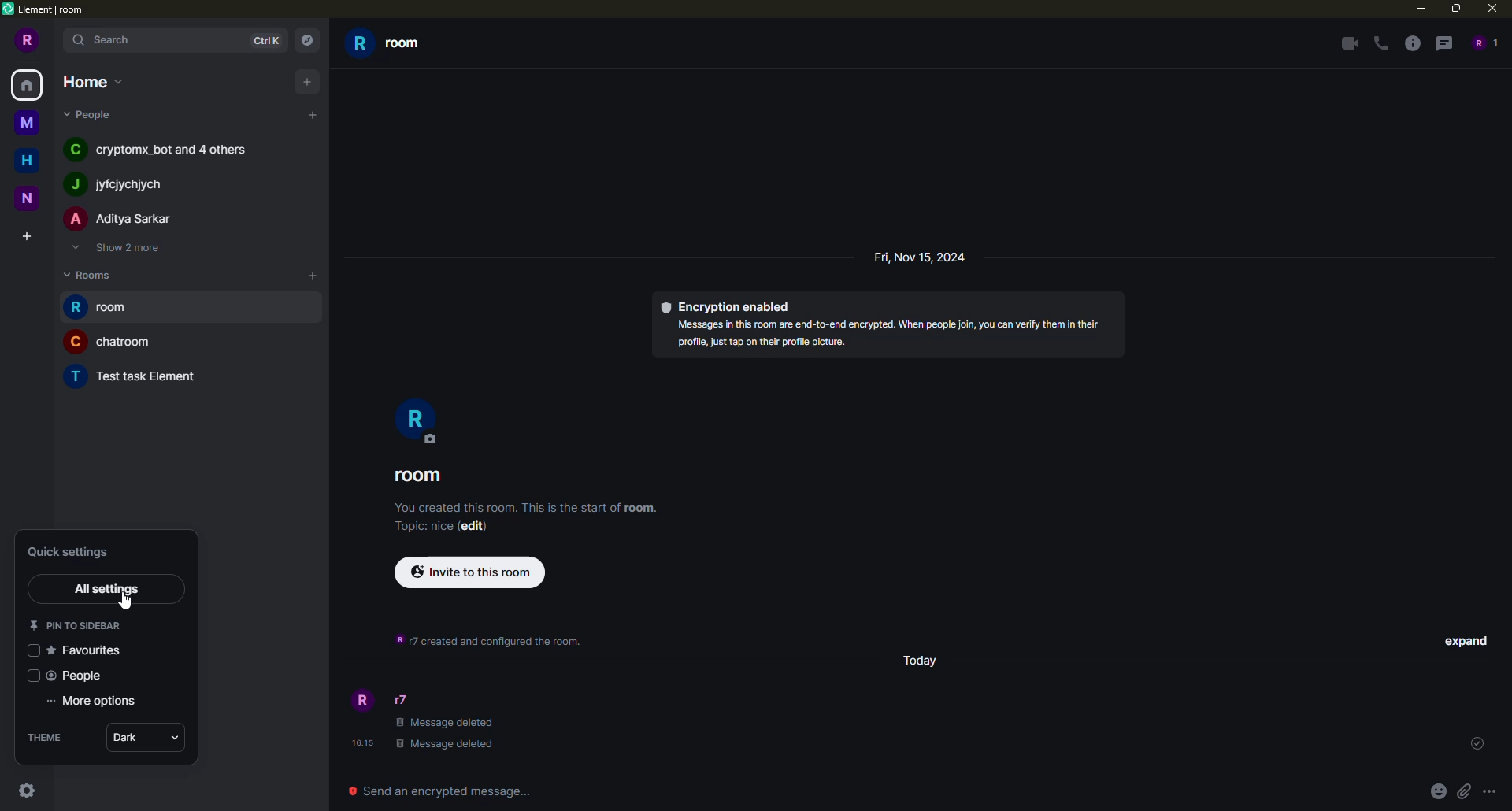  Describe the element at coordinates (91, 113) in the screenshot. I see `people` at that location.